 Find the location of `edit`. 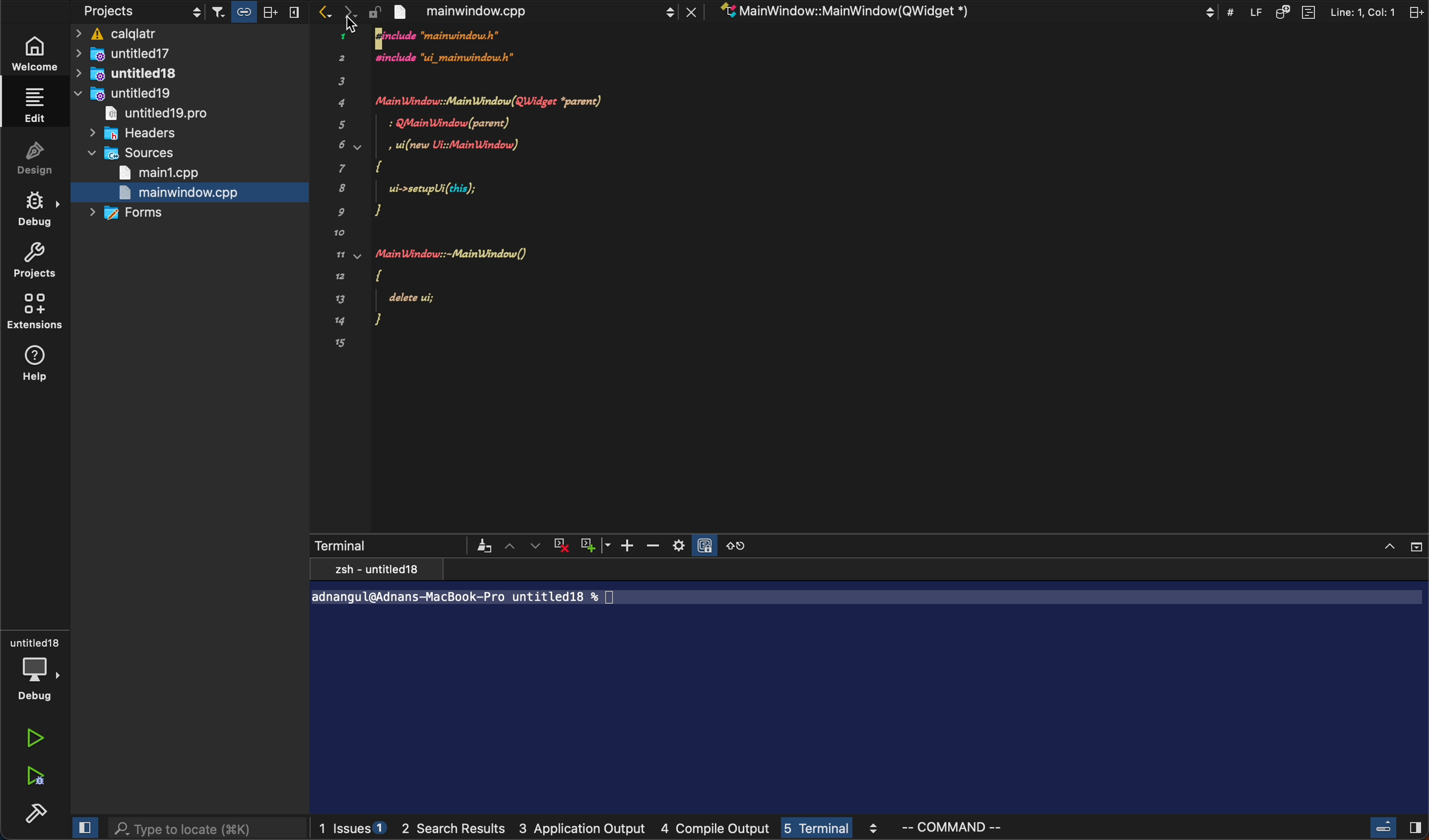

edit is located at coordinates (38, 108).